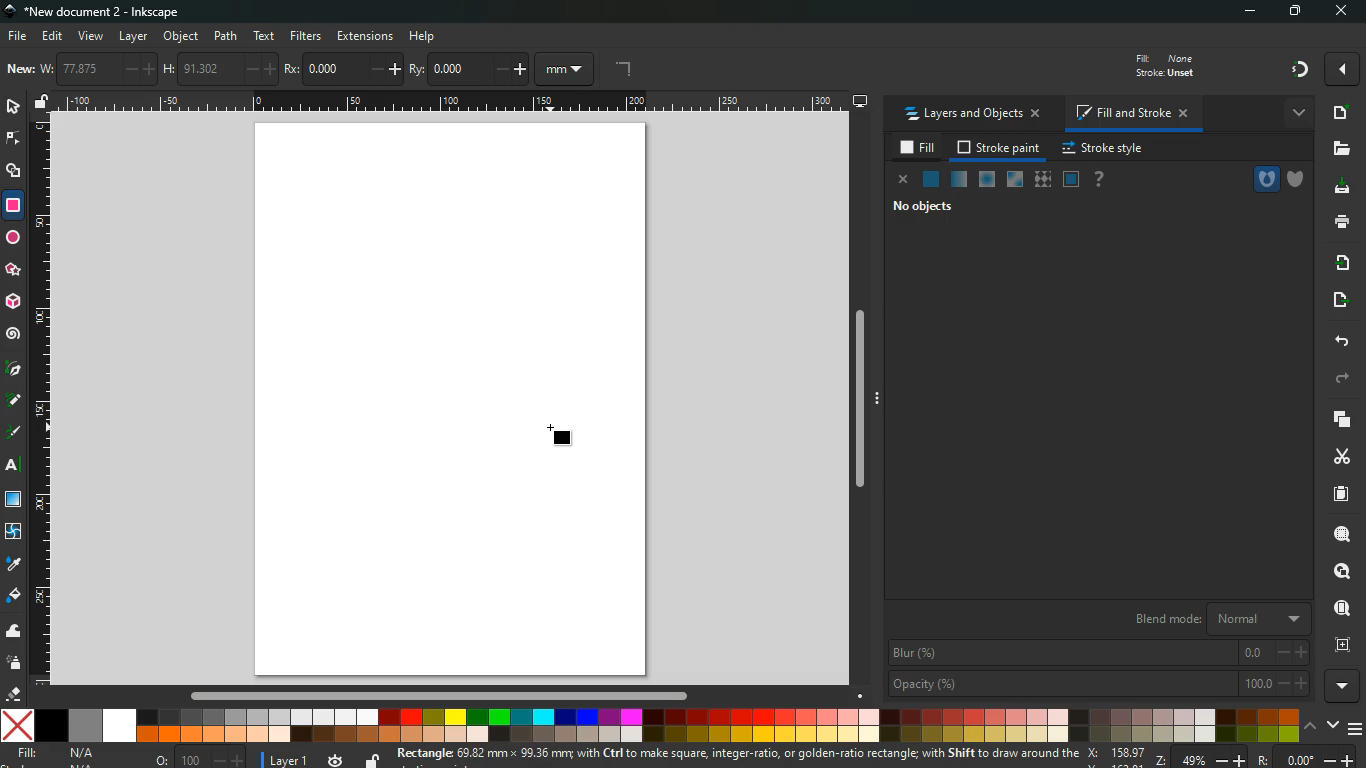 The width and height of the screenshot is (1366, 768). What do you see at coordinates (1346, 378) in the screenshot?
I see `forward` at bounding box center [1346, 378].